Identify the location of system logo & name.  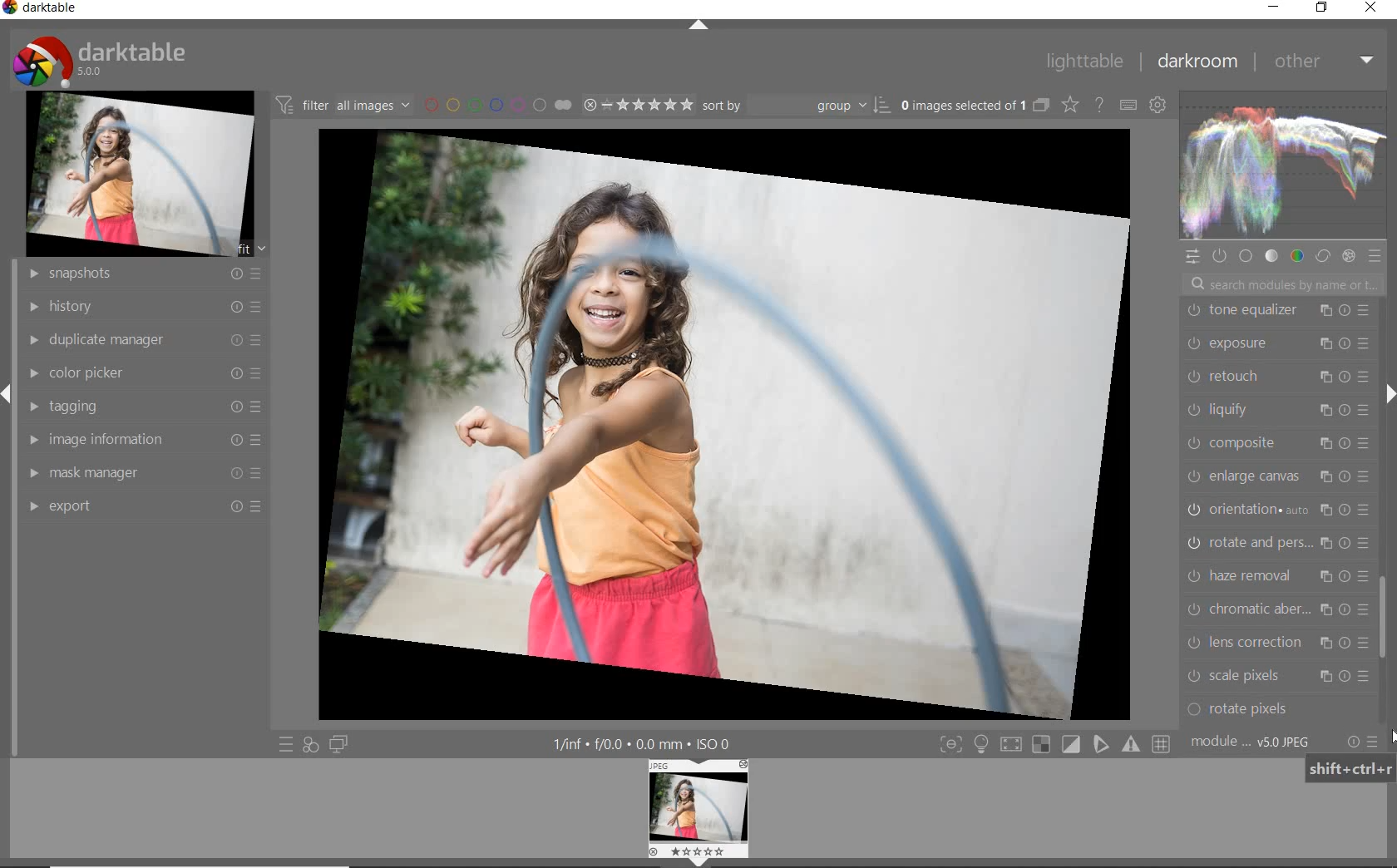
(103, 61).